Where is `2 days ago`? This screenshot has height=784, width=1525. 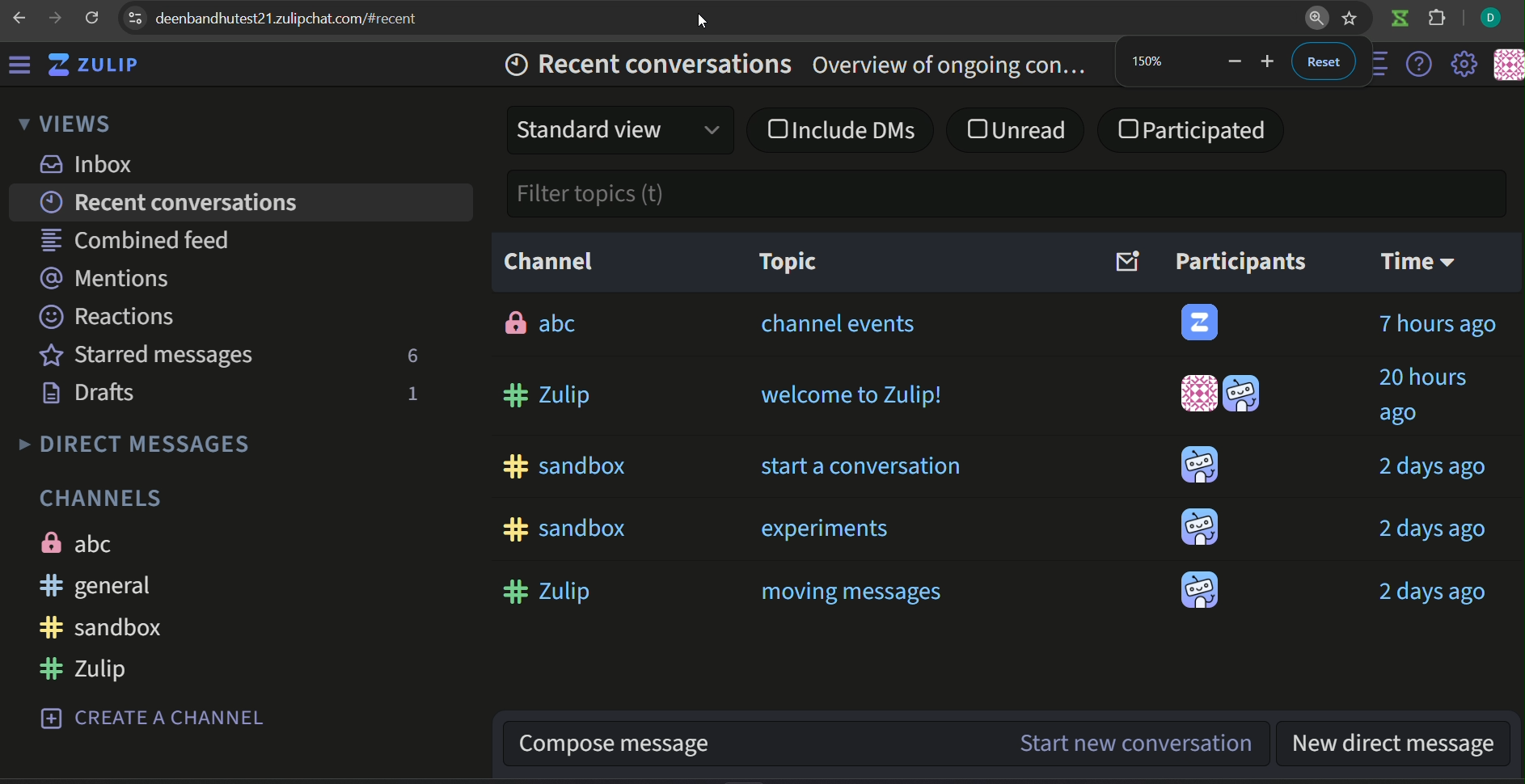
2 days ago is located at coordinates (1434, 592).